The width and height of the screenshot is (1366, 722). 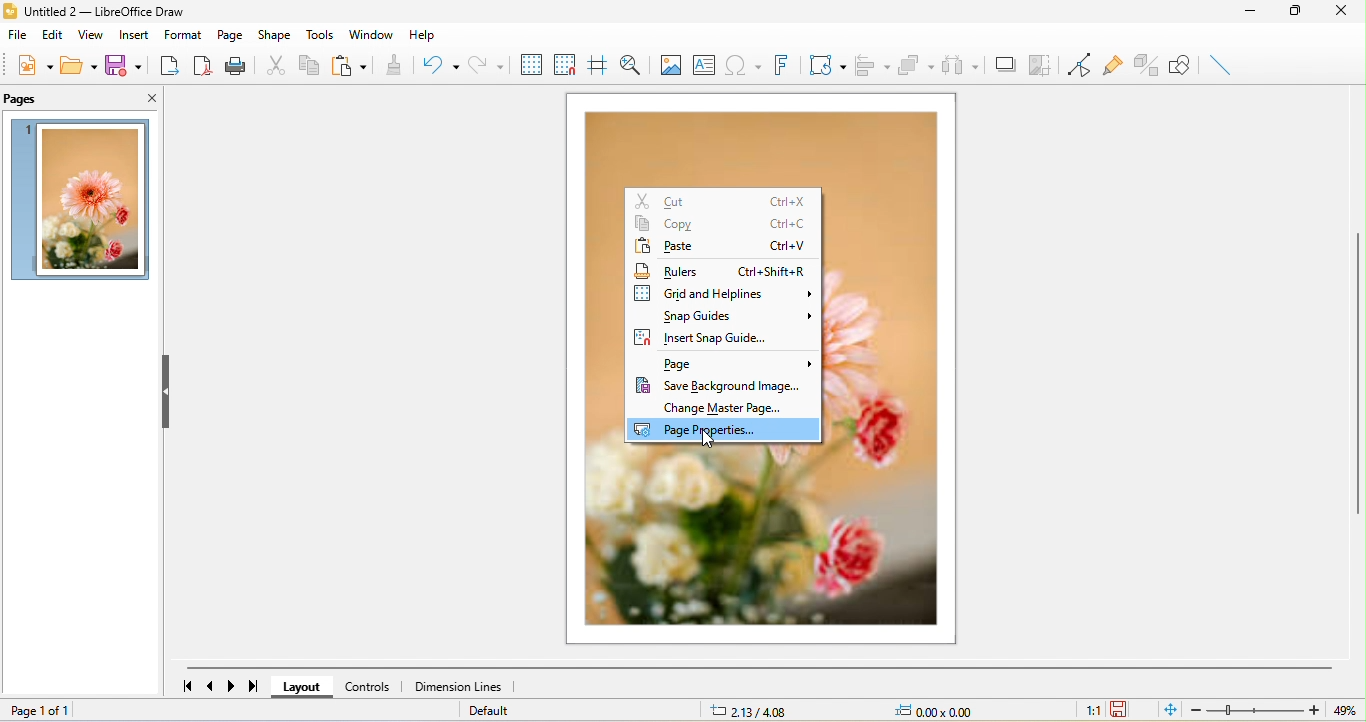 I want to click on text box, so click(x=711, y=65).